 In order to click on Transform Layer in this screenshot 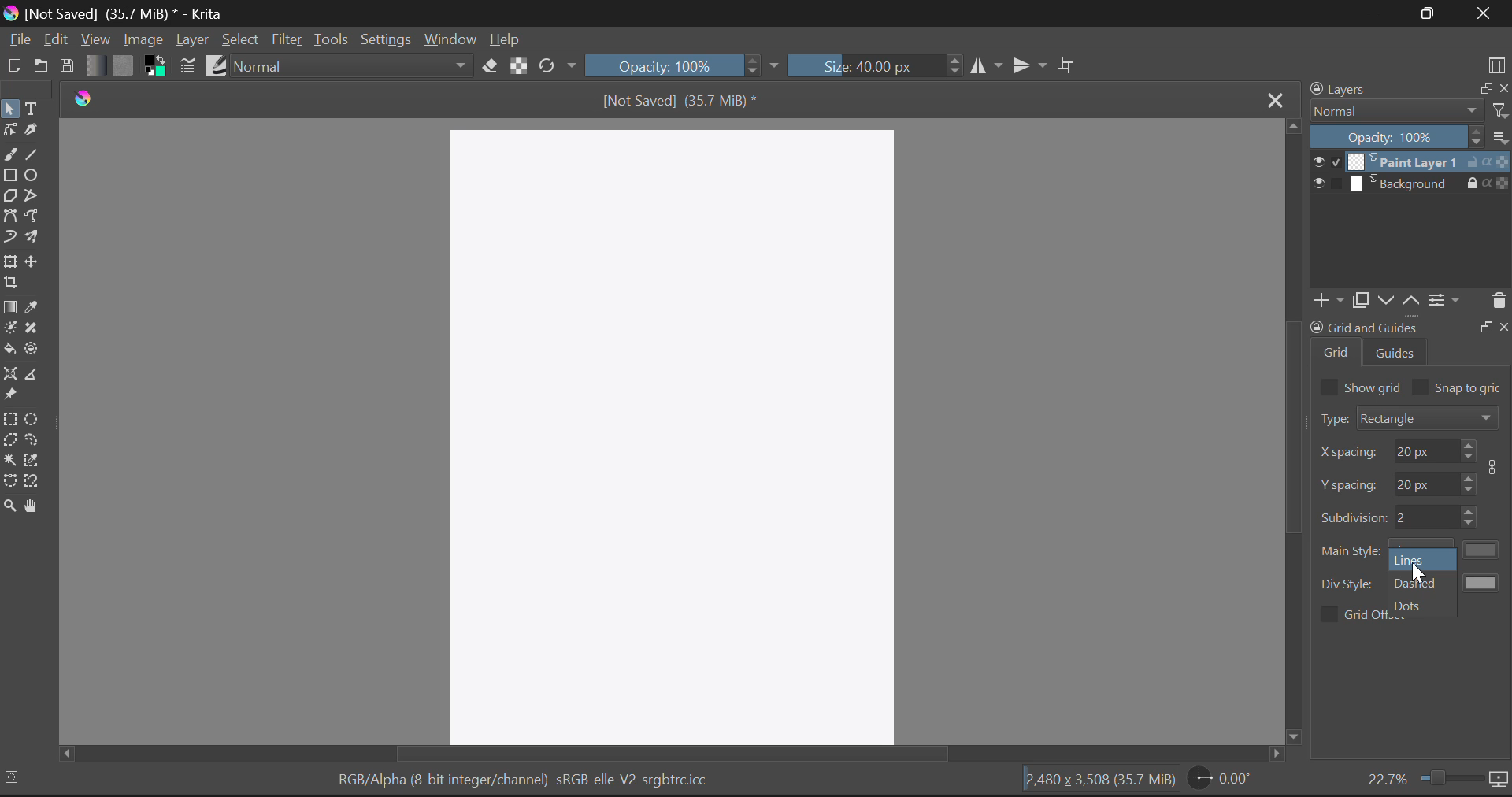, I will do `click(9, 262)`.